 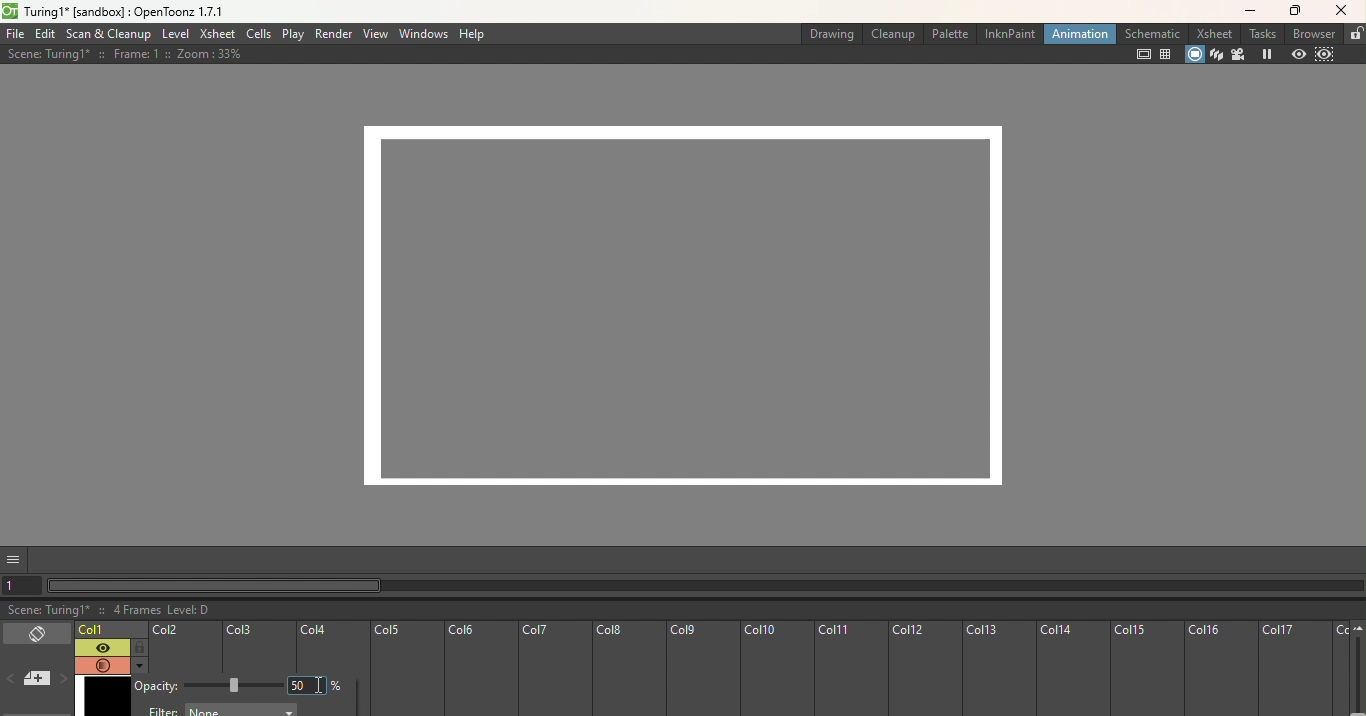 What do you see at coordinates (1237, 55) in the screenshot?
I see `Camera view` at bounding box center [1237, 55].